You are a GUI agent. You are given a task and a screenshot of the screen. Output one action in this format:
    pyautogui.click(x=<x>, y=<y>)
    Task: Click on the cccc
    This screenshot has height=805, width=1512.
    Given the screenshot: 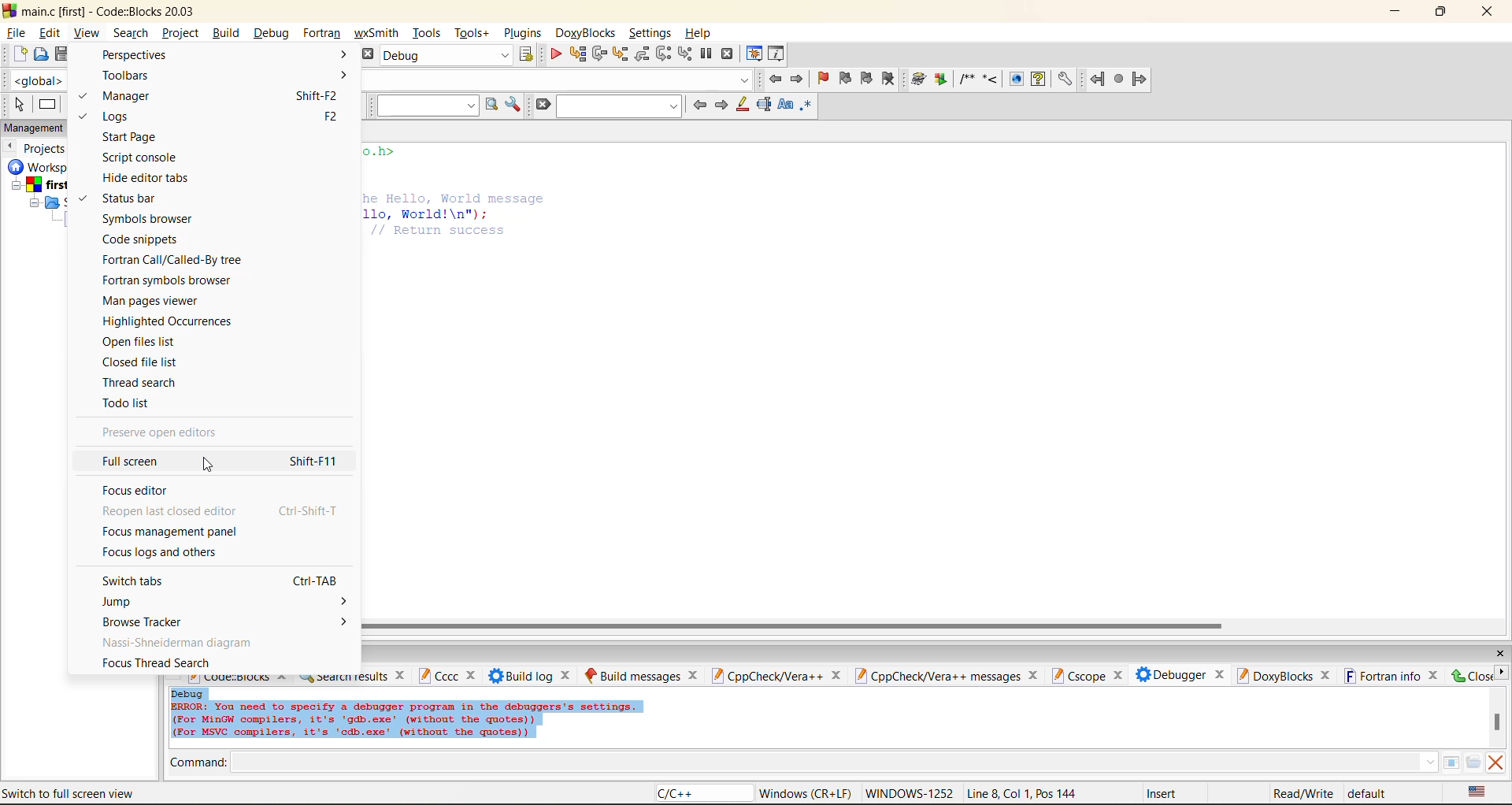 What is the action you would take?
    pyautogui.click(x=447, y=677)
    